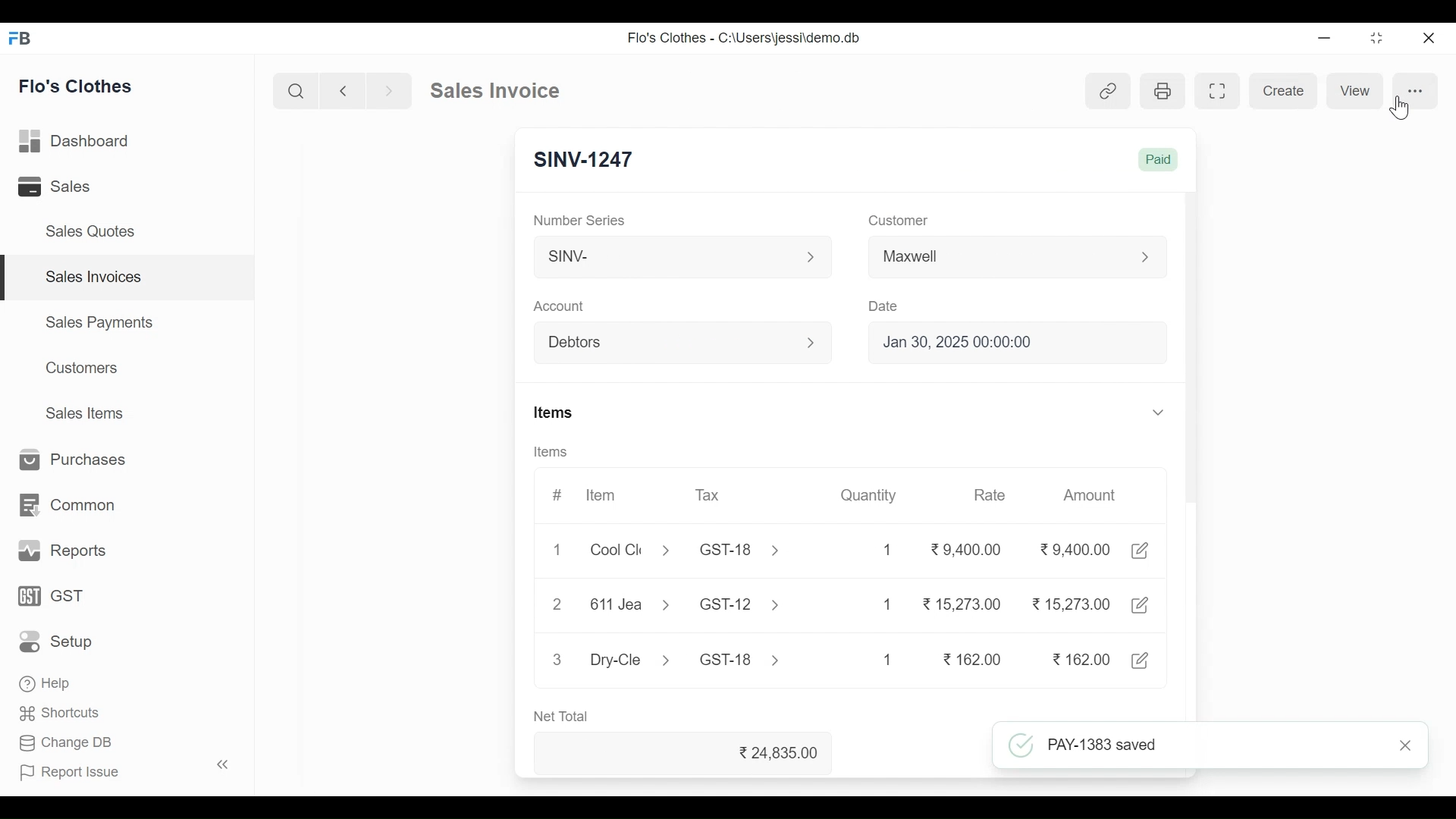  Describe the element at coordinates (25, 39) in the screenshot. I see `Frappe Book Desktop Icon` at that location.